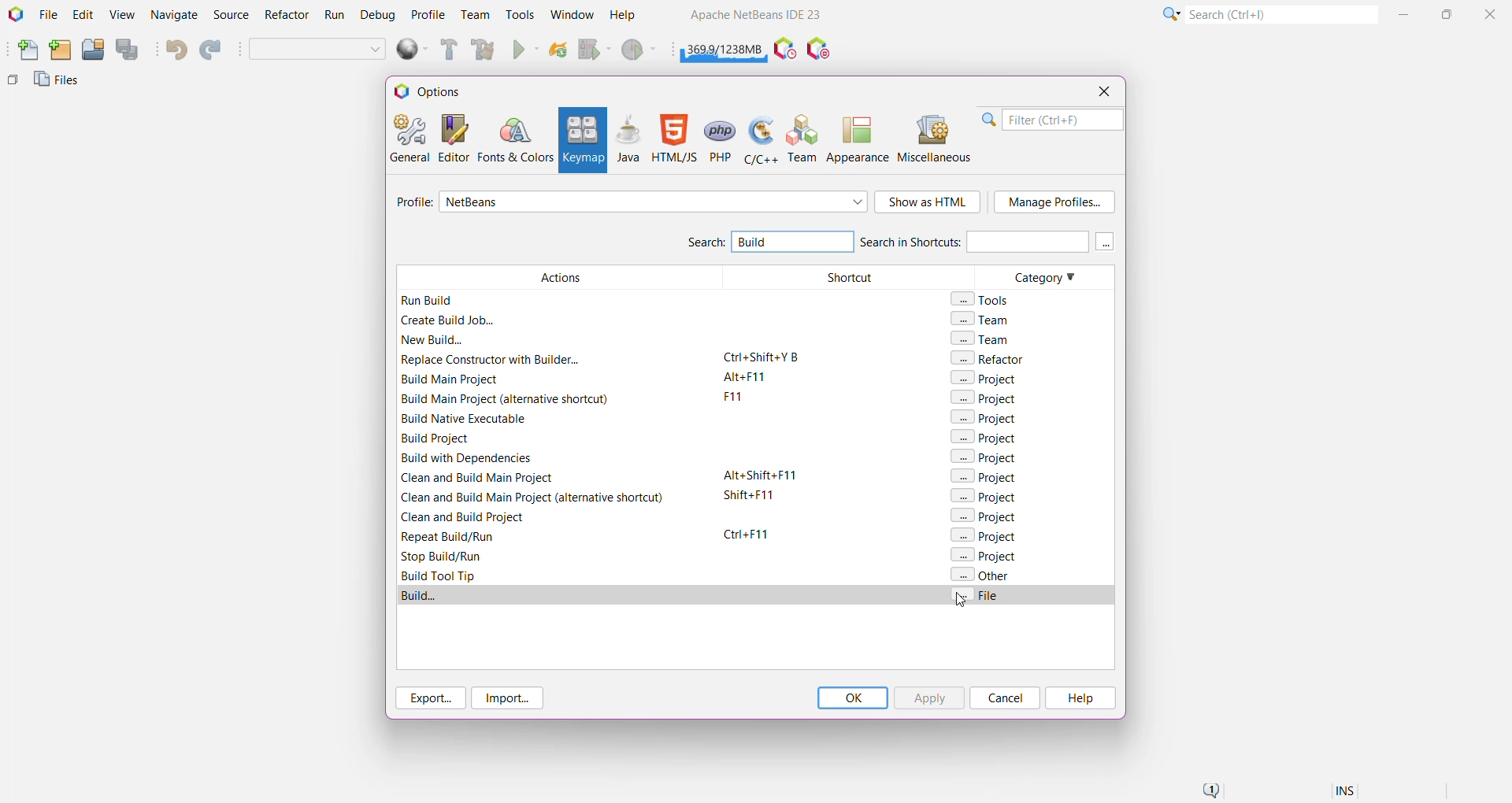 Image resolution: width=1512 pixels, height=803 pixels. Describe the element at coordinates (928, 203) in the screenshot. I see `Show as HTML` at that location.